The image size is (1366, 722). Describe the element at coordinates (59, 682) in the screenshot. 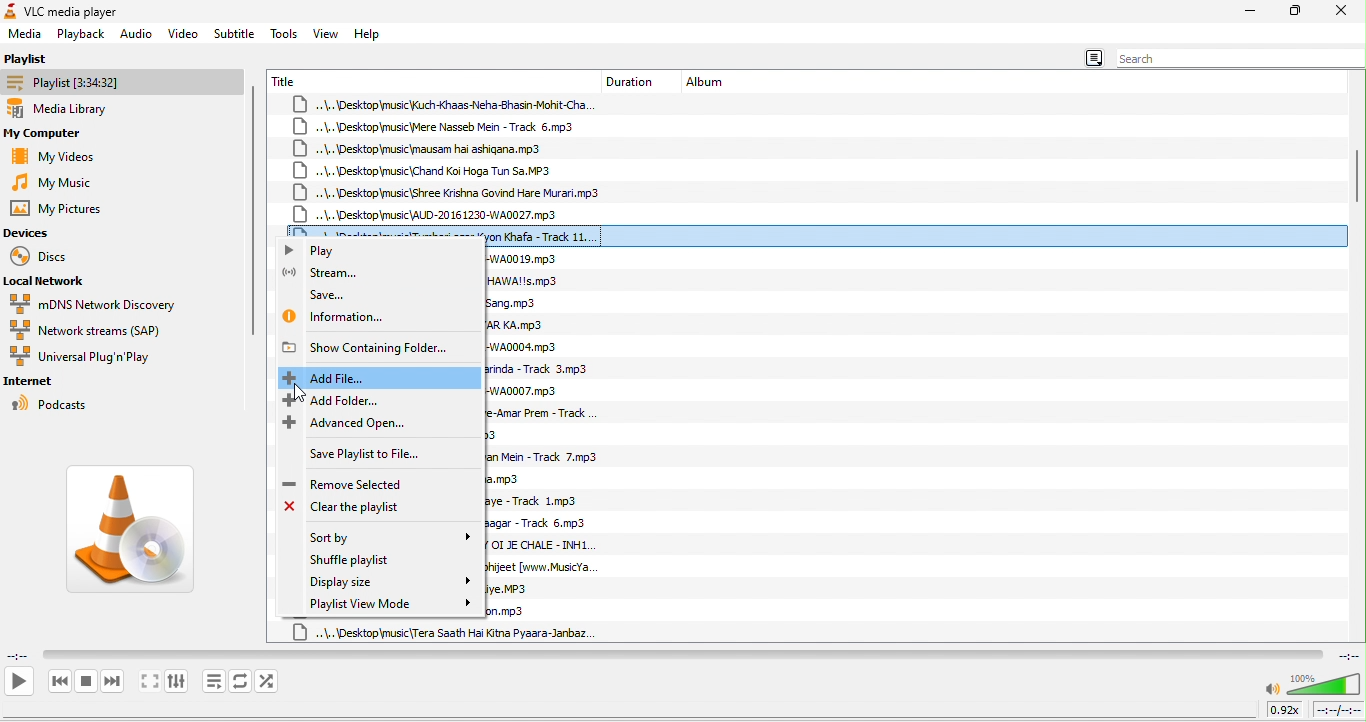

I see `previous media` at that location.